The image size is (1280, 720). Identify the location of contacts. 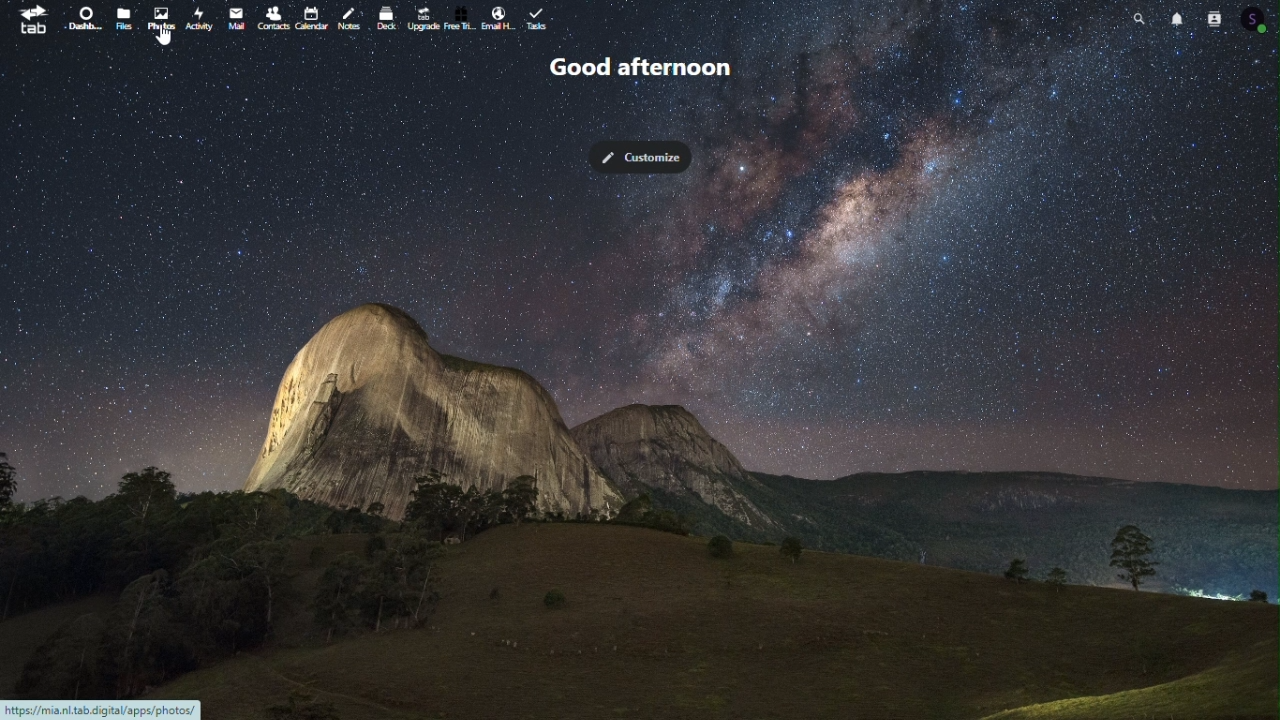
(271, 19).